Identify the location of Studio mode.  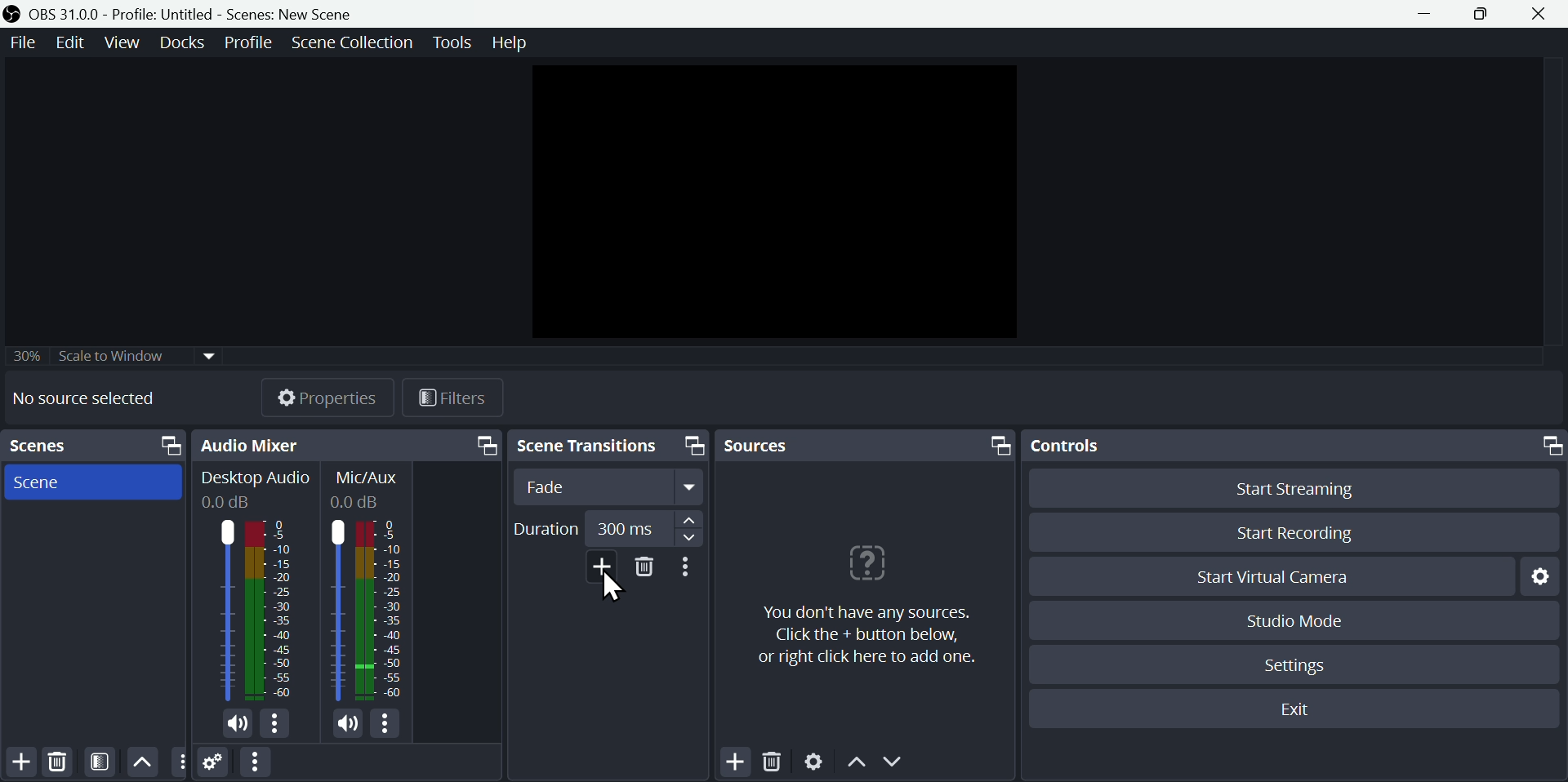
(1289, 620).